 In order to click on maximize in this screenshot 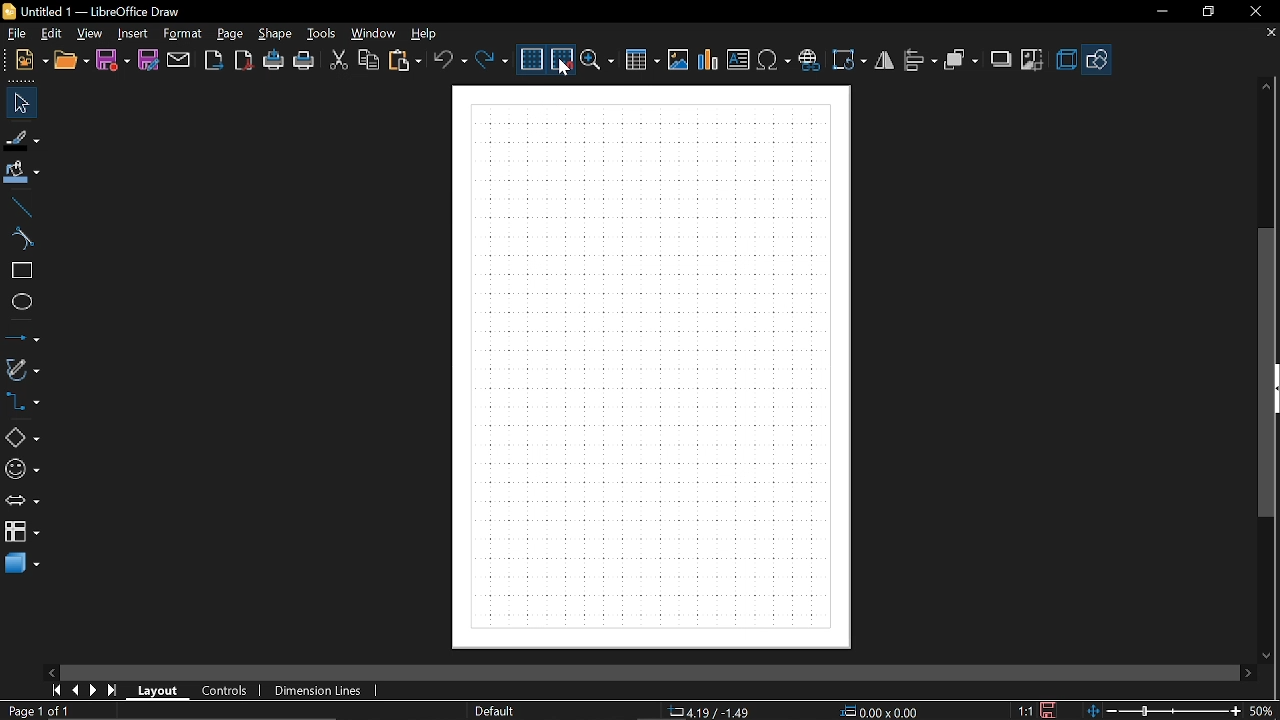, I will do `click(1211, 11)`.